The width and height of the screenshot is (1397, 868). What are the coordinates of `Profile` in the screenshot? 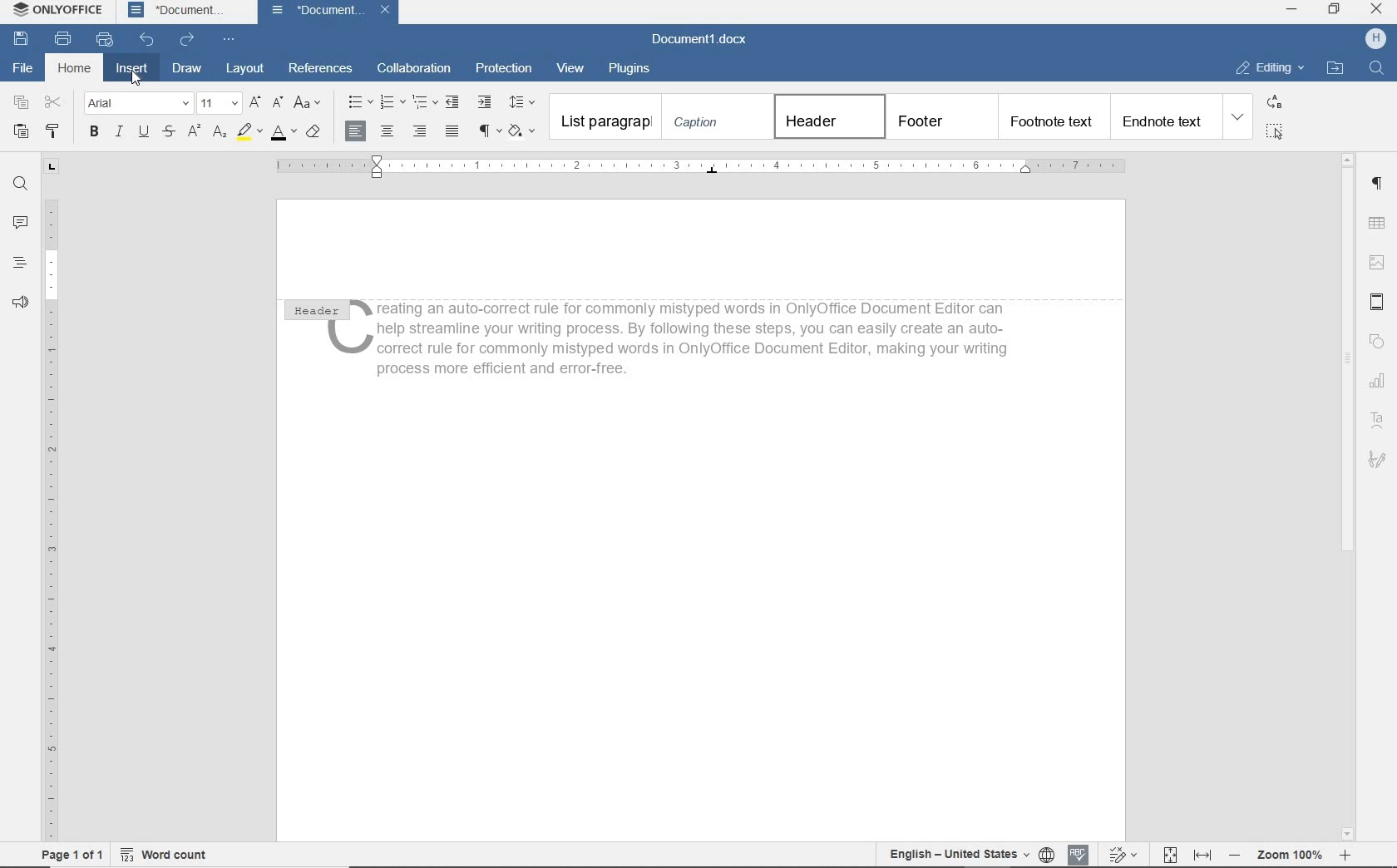 It's located at (1375, 39).